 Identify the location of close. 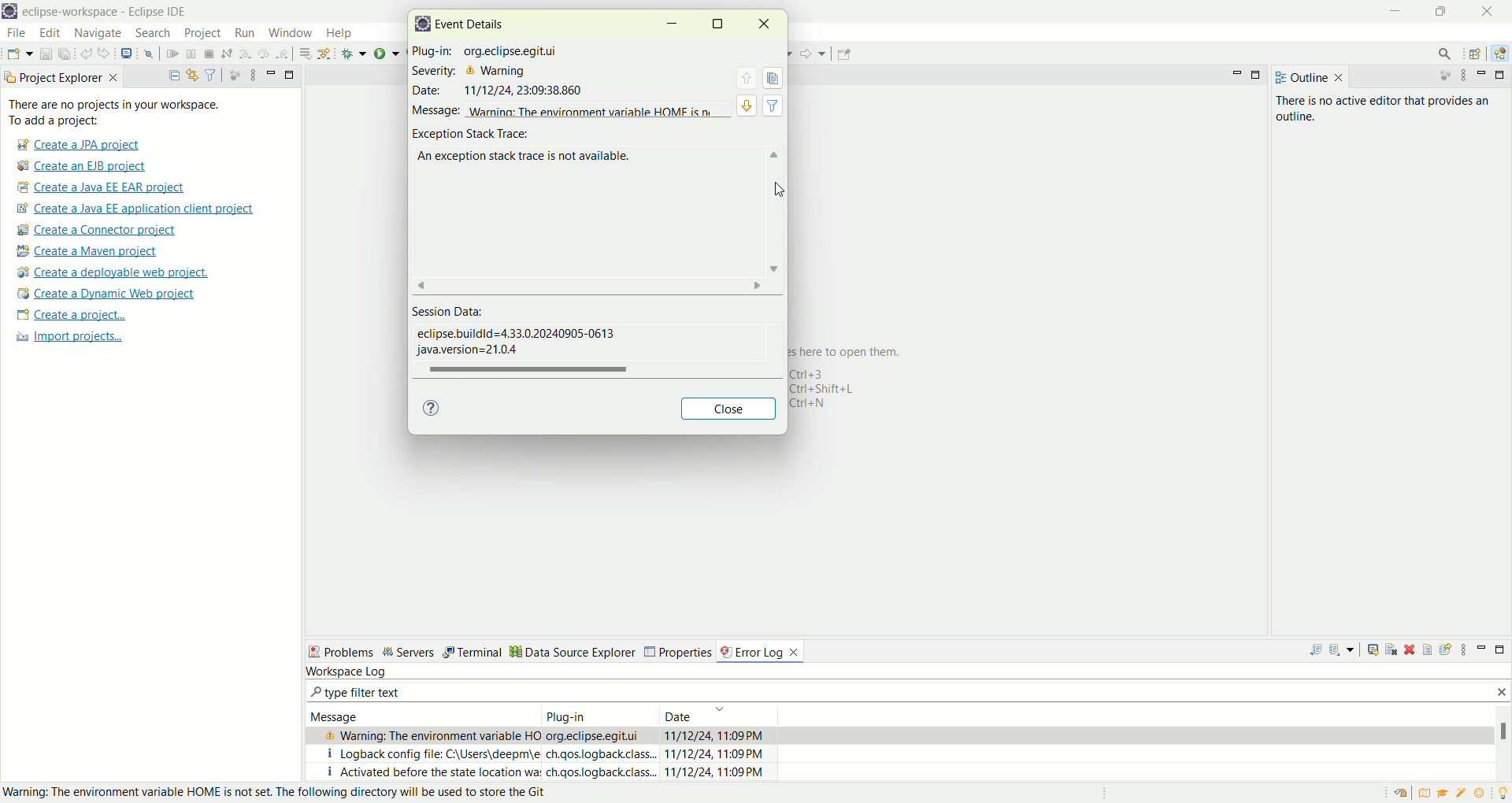
(1495, 692).